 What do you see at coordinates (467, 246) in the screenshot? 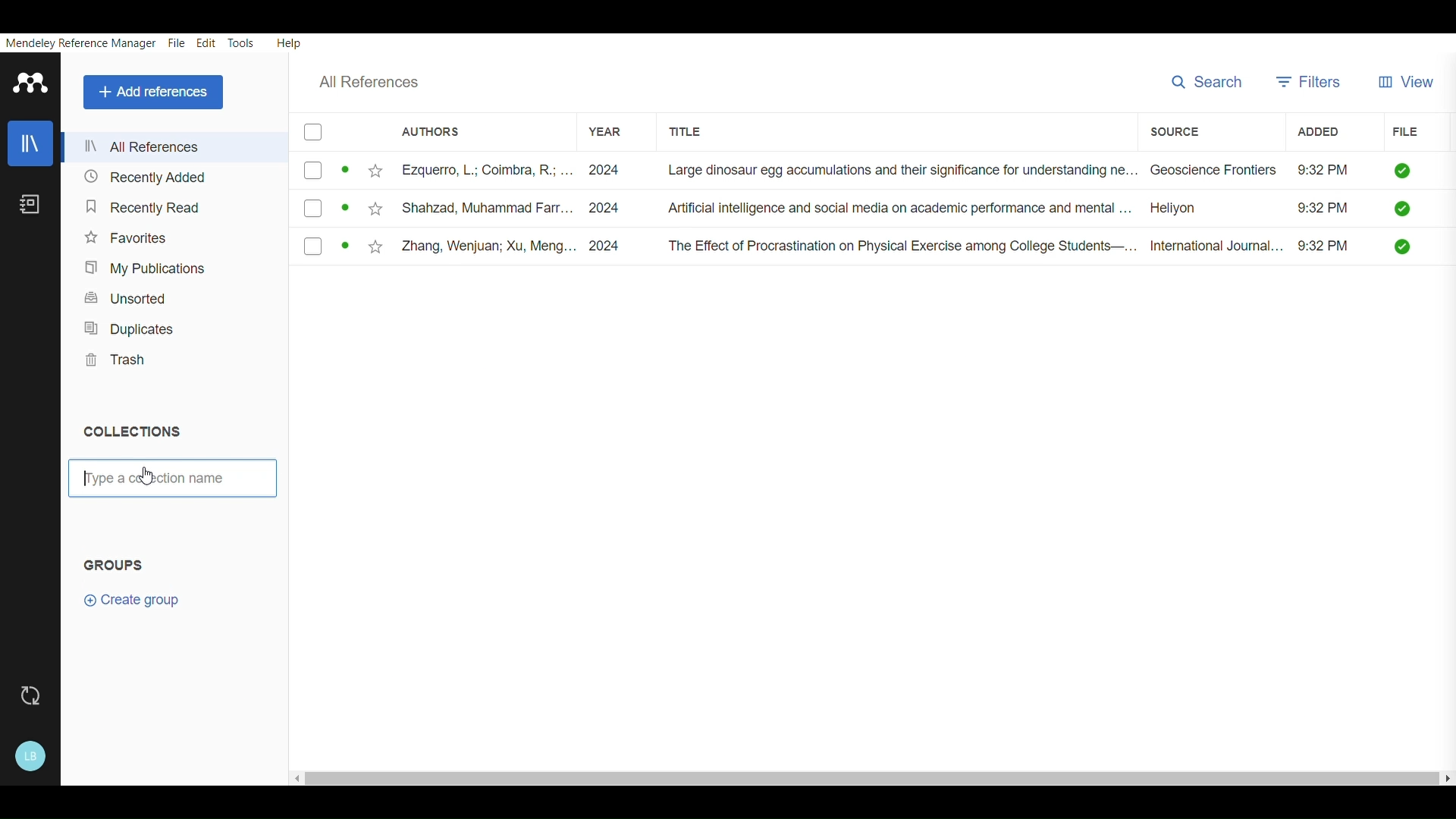
I see `Zhang, Wenjuan; Xu, Meng...` at bounding box center [467, 246].